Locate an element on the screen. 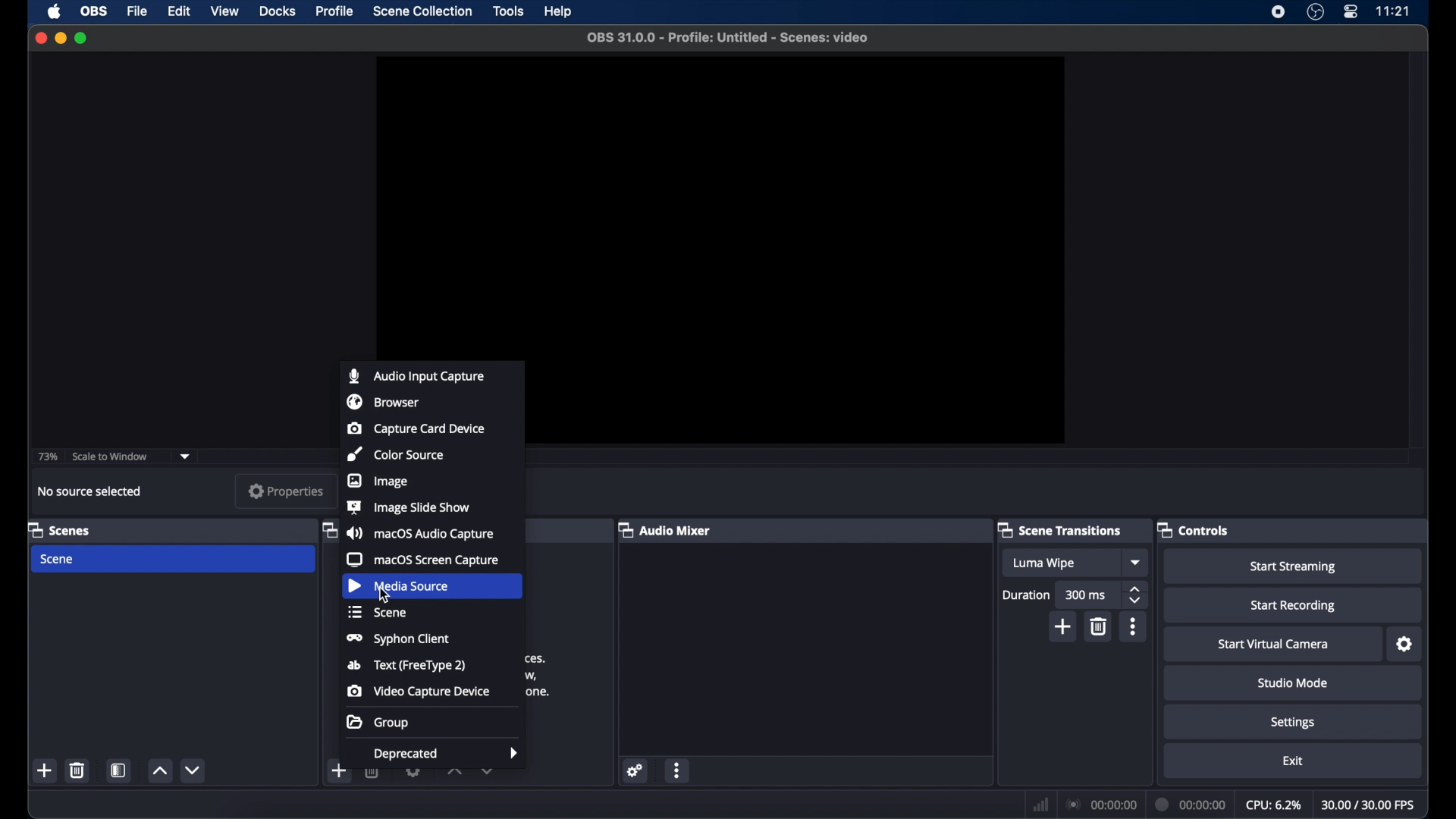  delete is located at coordinates (1100, 626).